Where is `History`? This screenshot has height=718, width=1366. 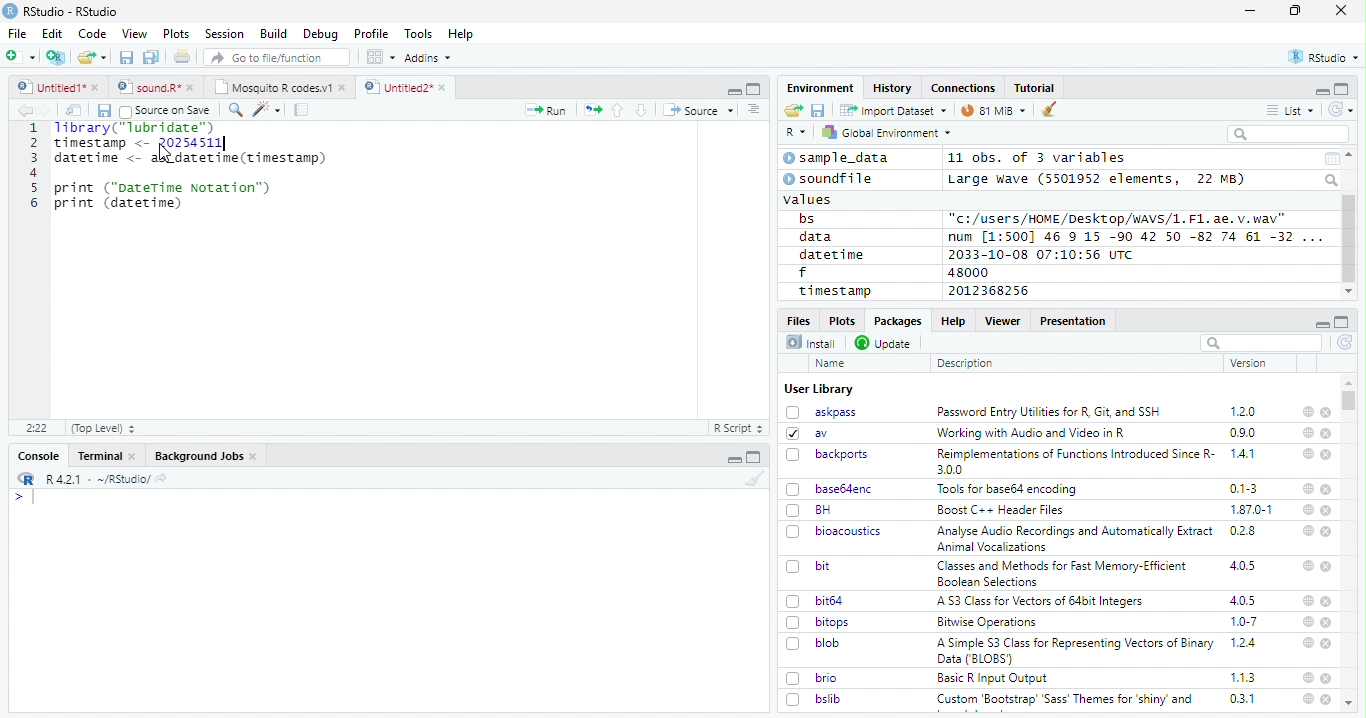 History is located at coordinates (893, 88).